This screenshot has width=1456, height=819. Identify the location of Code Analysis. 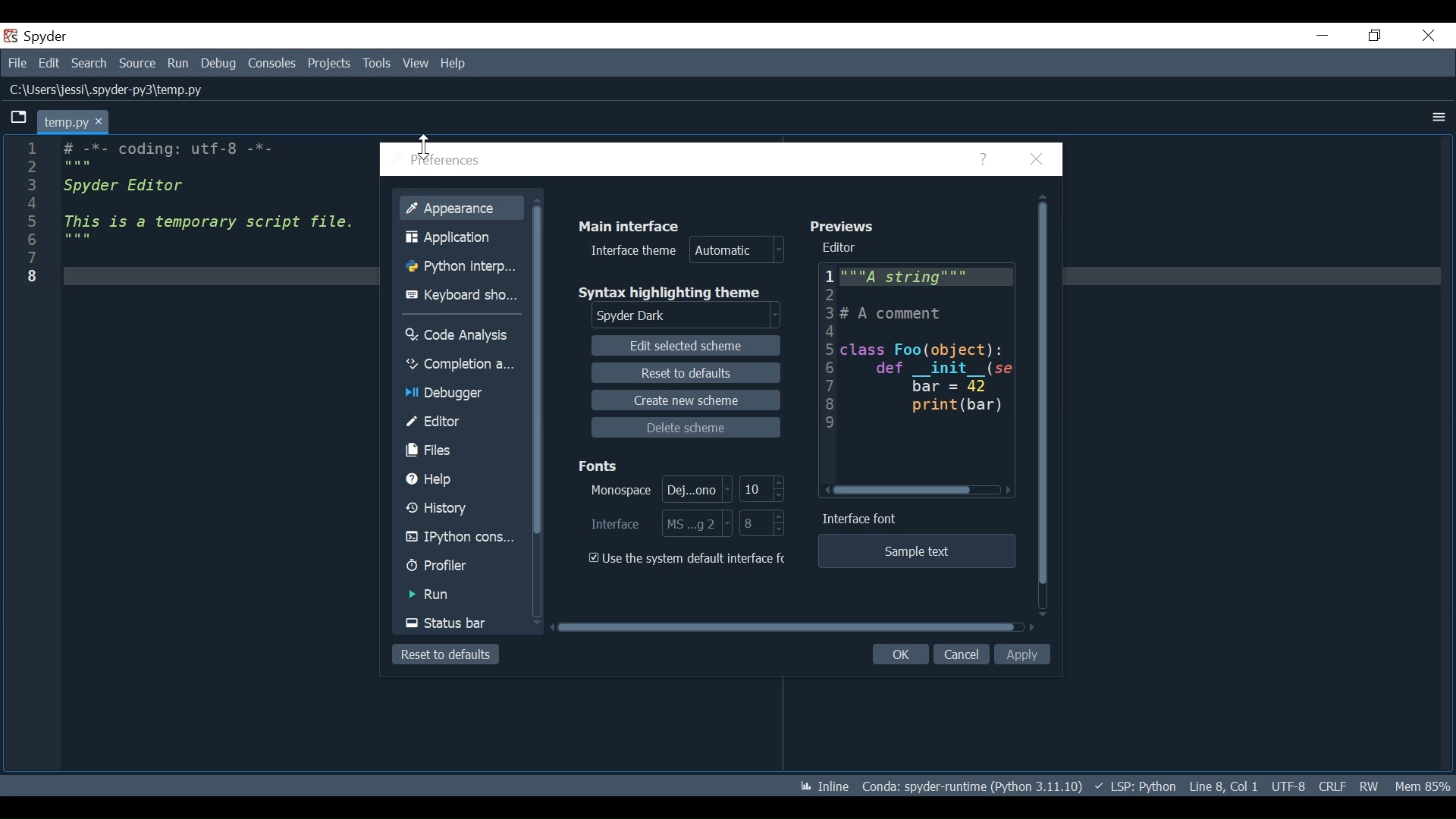
(459, 337).